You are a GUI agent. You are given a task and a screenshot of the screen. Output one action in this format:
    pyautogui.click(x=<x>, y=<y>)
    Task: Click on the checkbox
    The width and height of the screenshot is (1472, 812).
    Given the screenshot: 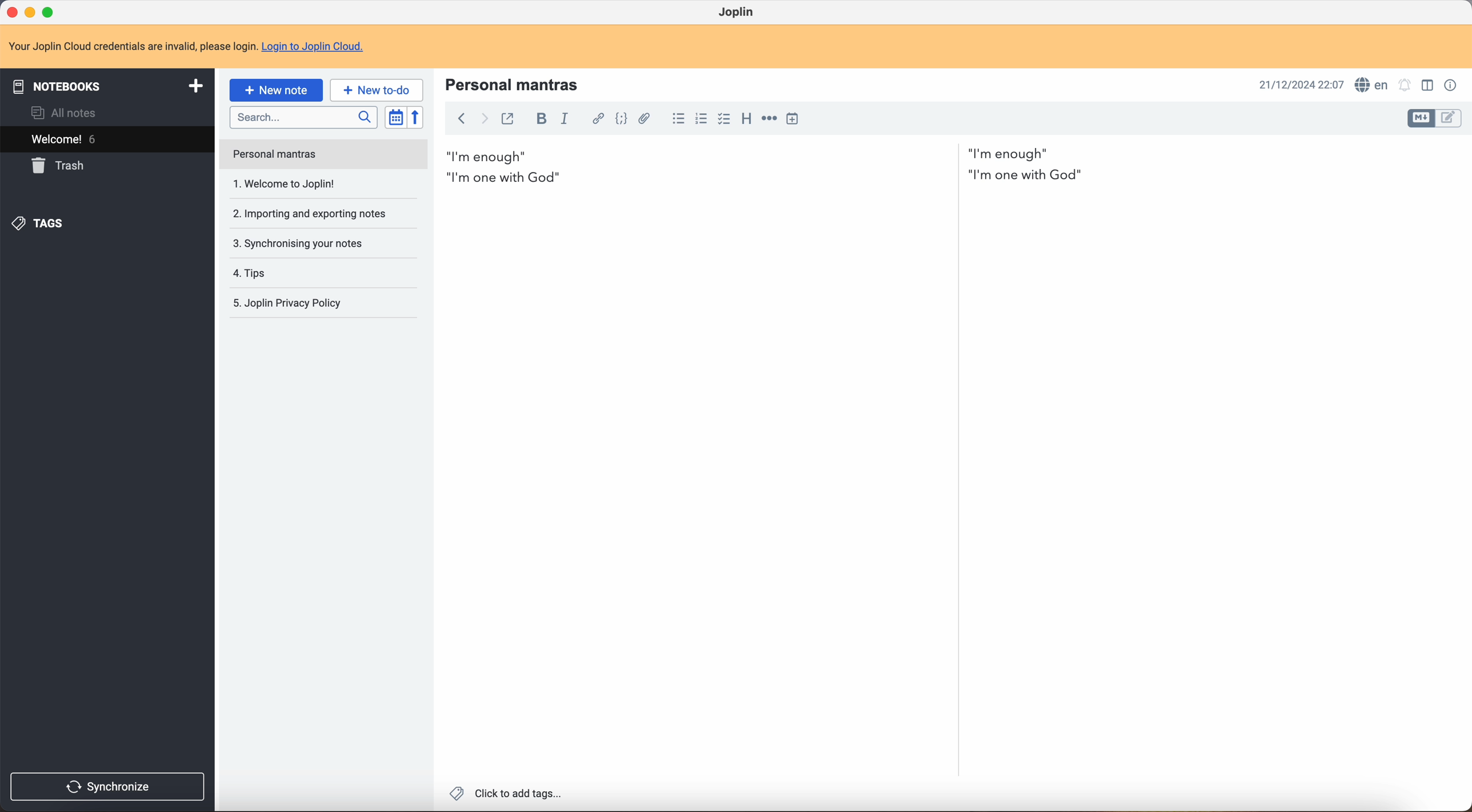 What is the action you would take?
    pyautogui.click(x=724, y=119)
    